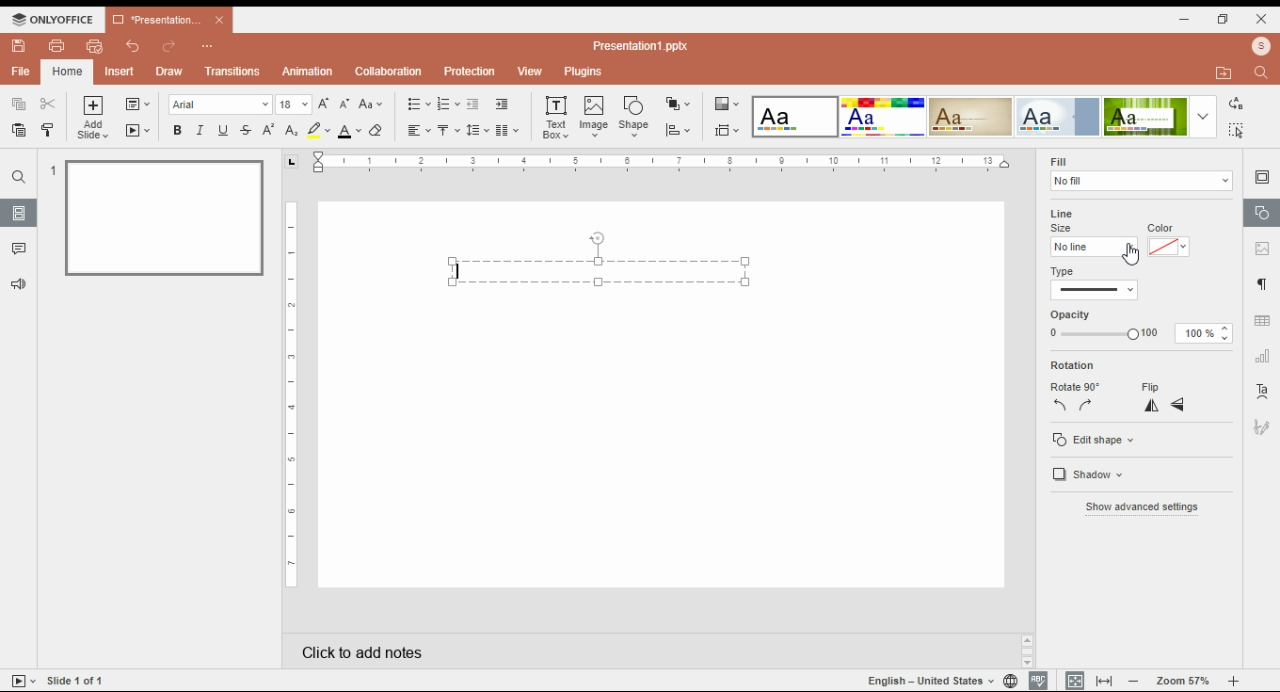 This screenshot has width=1280, height=692. What do you see at coordinates (20, 46) in the screenshot?
I see `save` at bounding box center [20, 46].